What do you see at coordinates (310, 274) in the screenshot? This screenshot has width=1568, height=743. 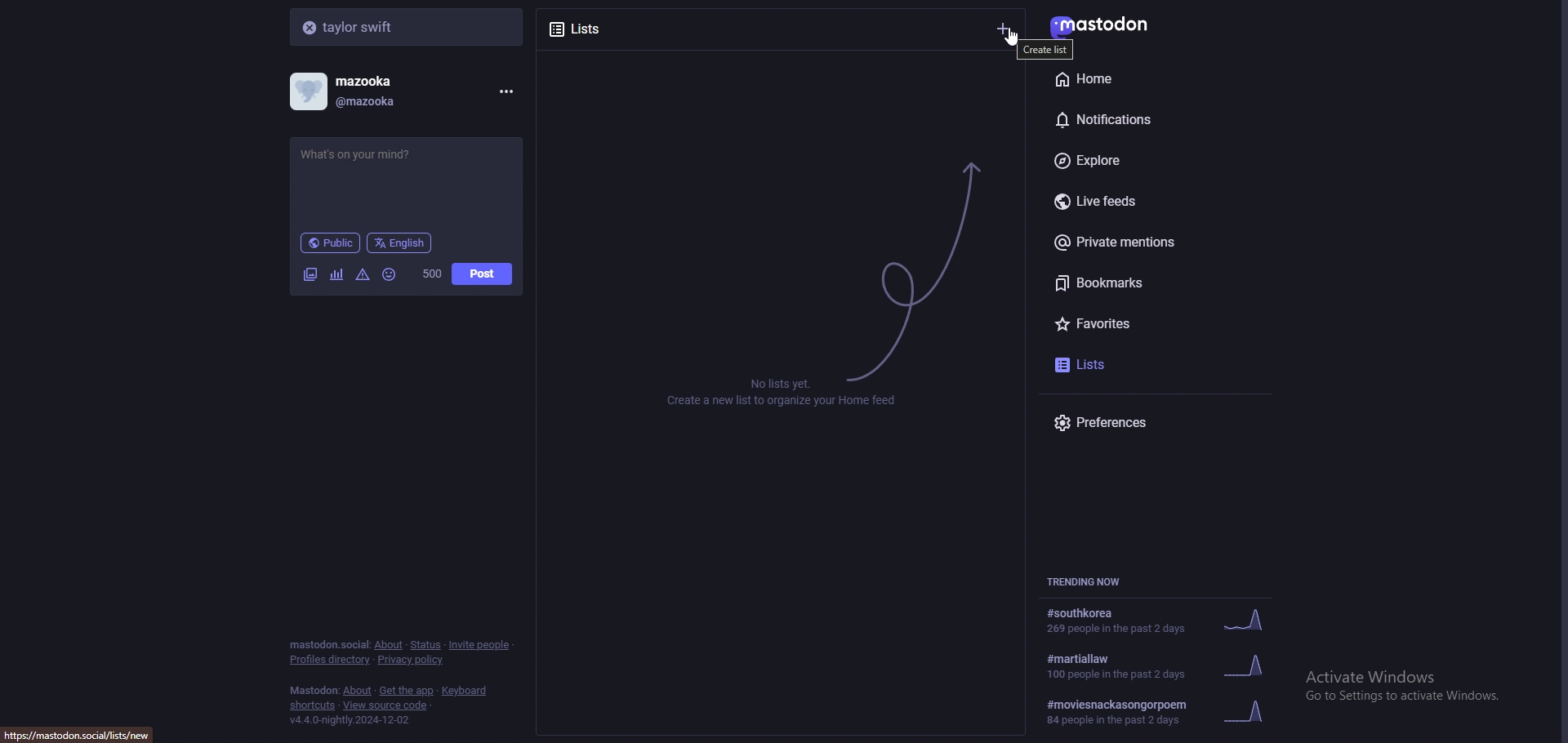 I see `image` at bounding box center [310, 274].